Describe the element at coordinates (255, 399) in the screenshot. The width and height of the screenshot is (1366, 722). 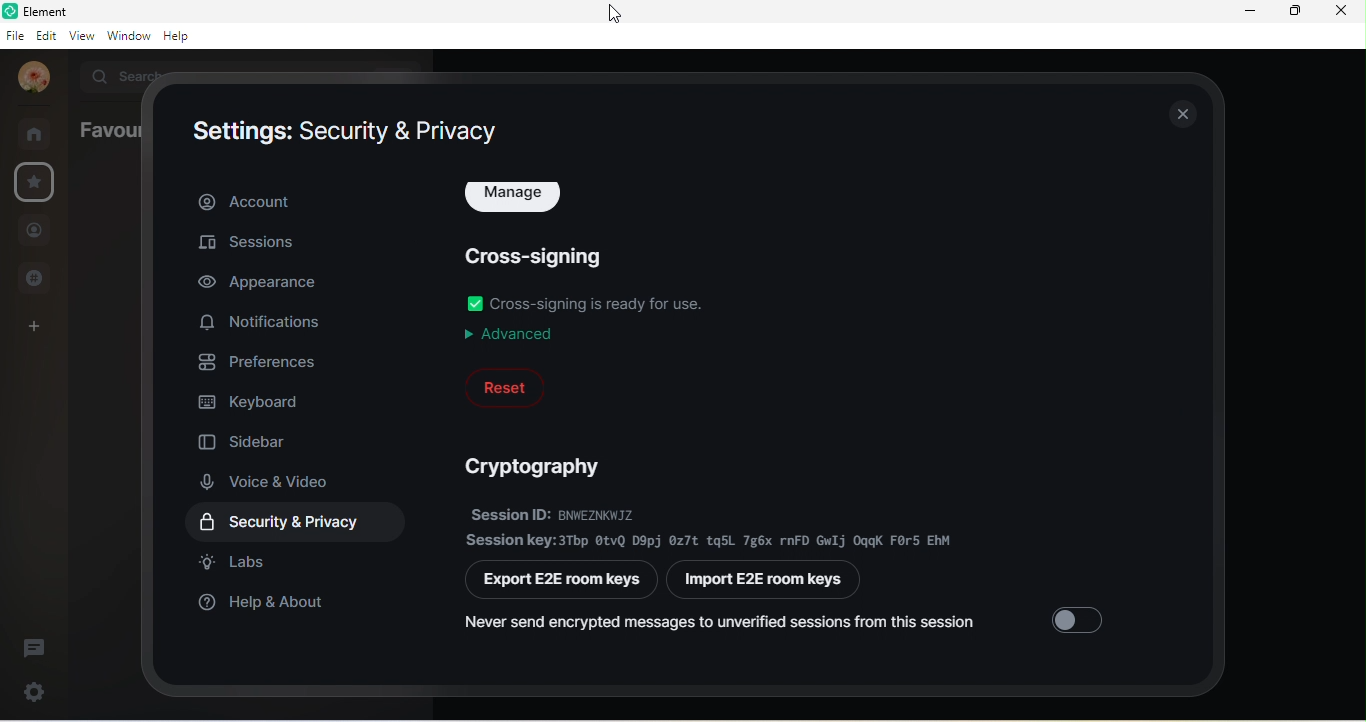
I see `keyboard` at that location.